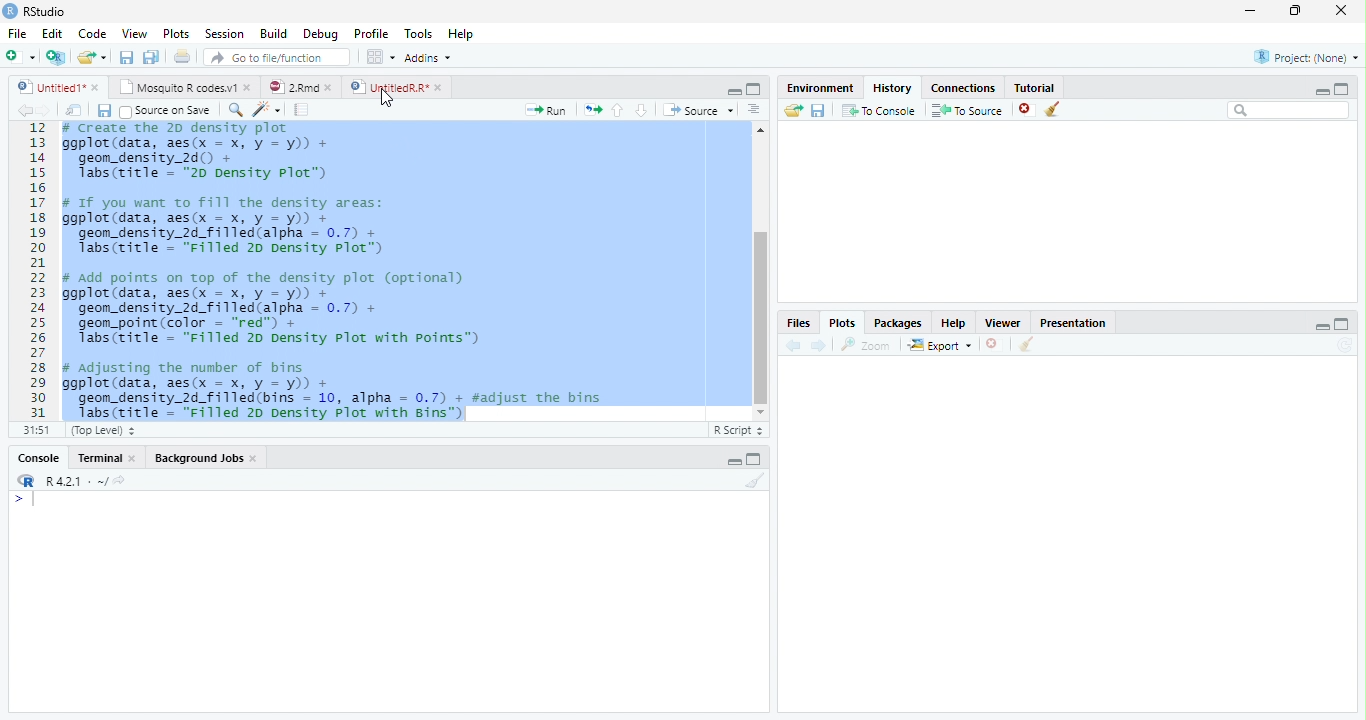  I want to click on minimize, so click(734, 462).